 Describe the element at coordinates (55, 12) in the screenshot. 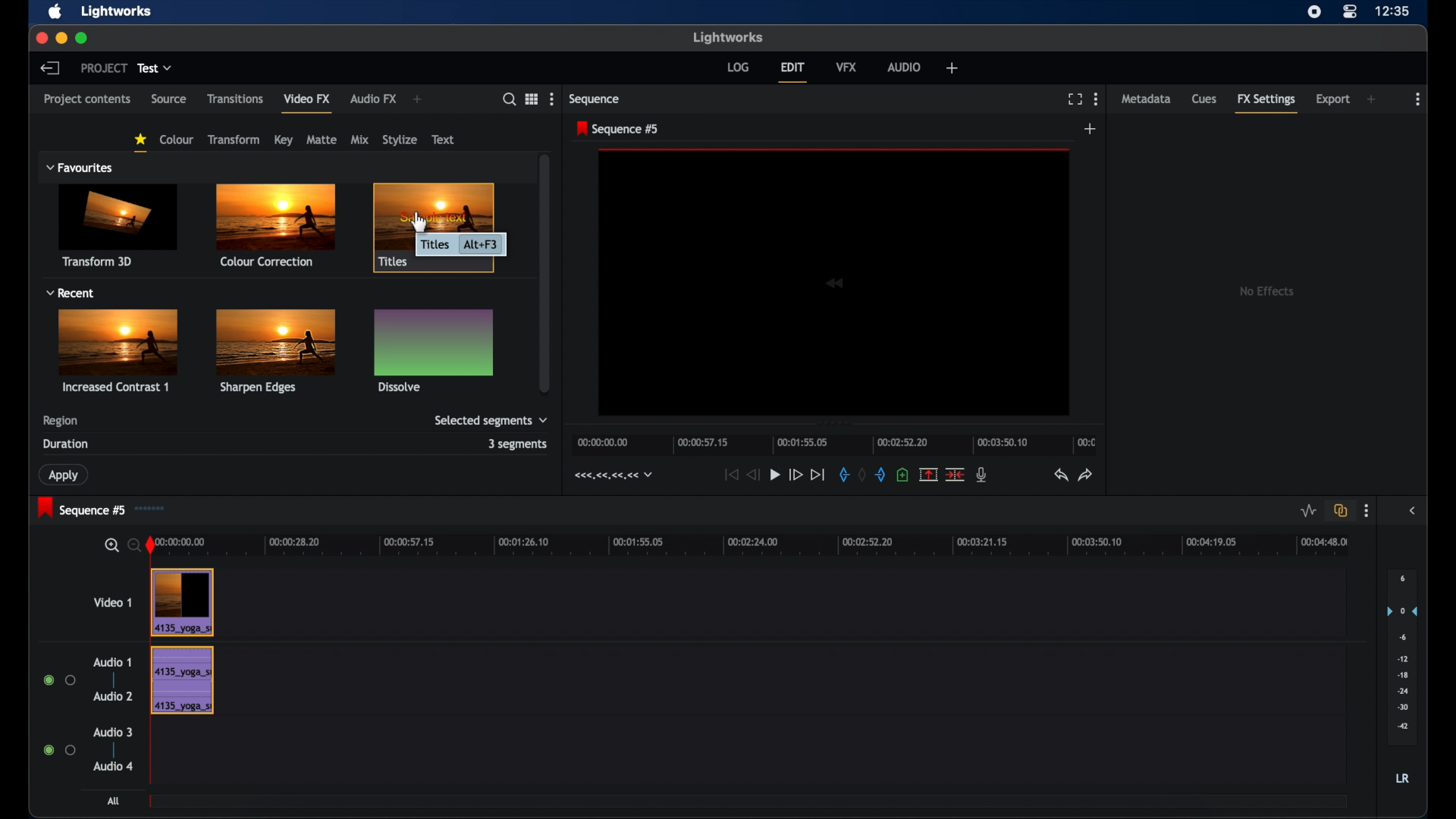

I see `apple icon` at that location.